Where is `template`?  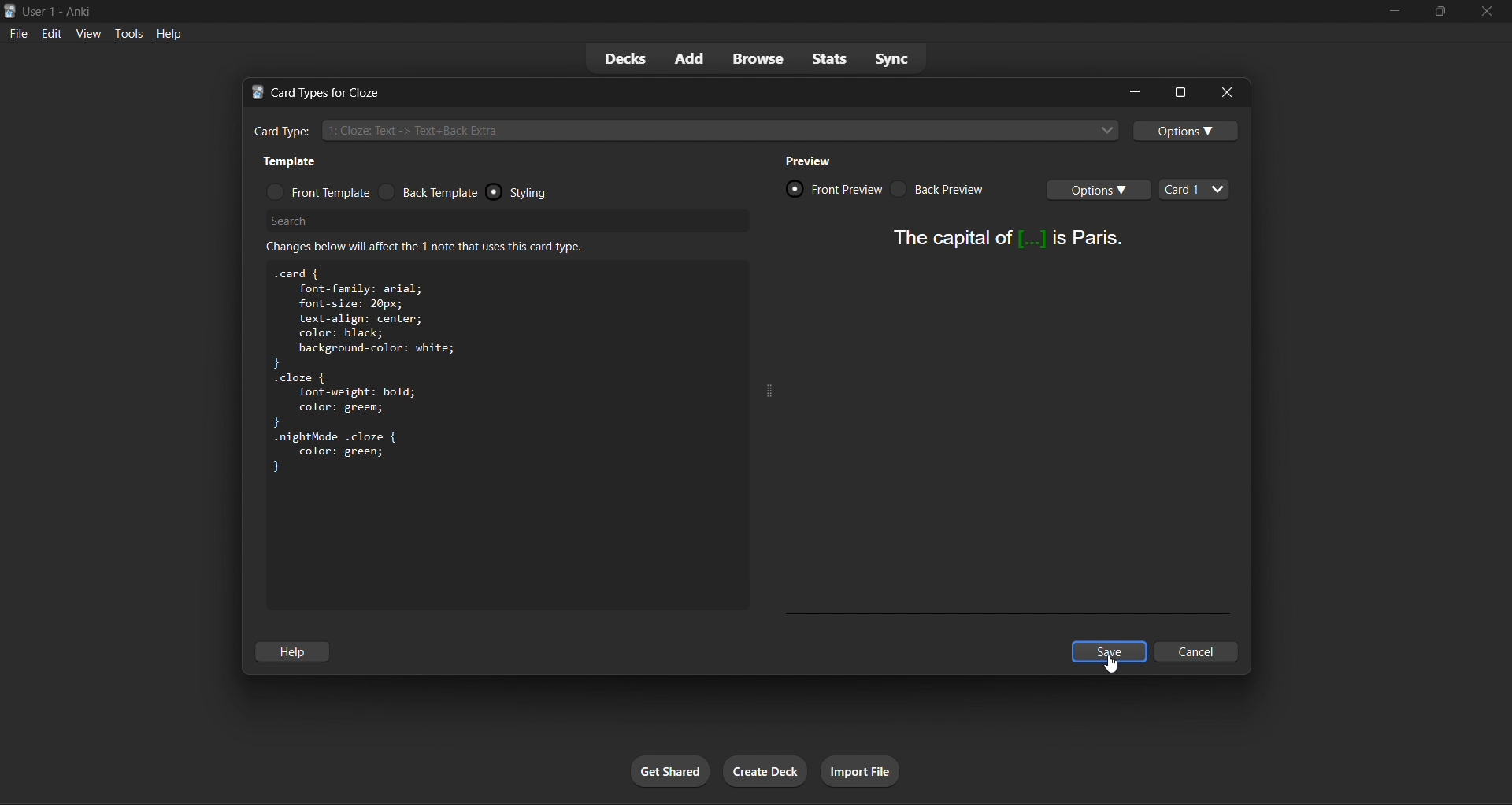
template is located at coordinates (297, 162).